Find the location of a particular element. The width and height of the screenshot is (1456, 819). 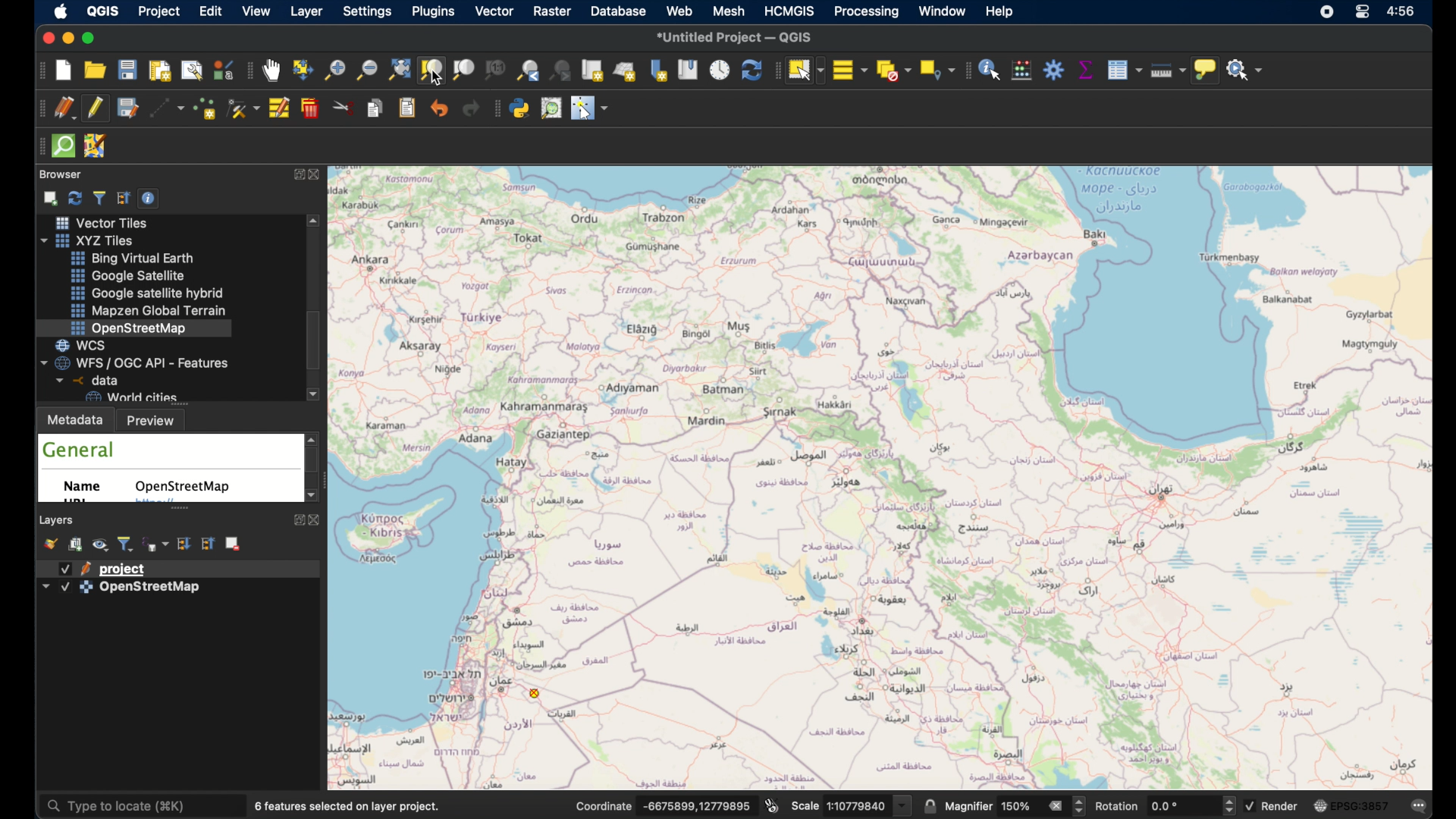

current edits is located at coordinates (64, 108).